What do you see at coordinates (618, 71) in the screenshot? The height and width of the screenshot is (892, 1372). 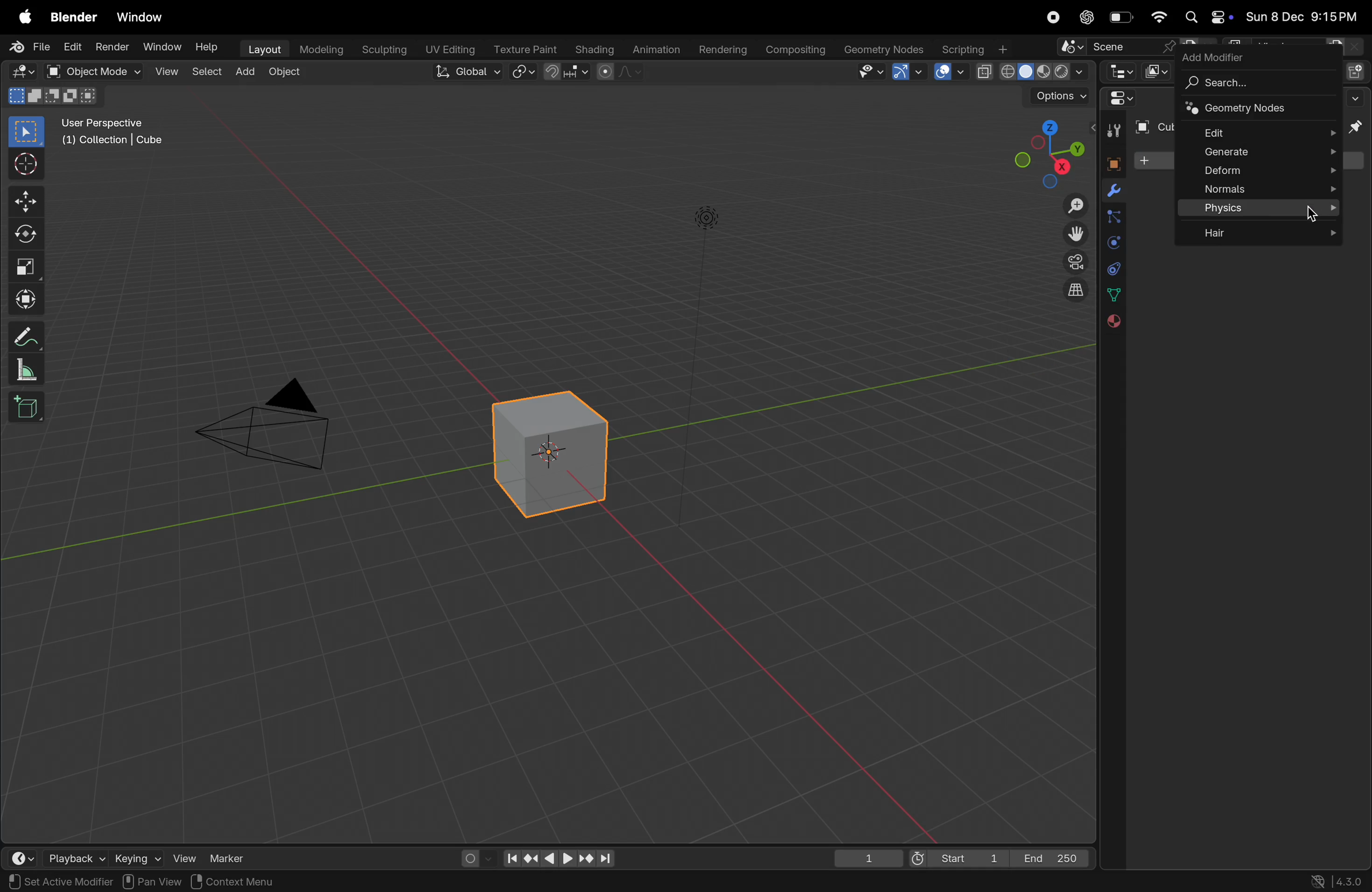 I see `proportional point` at bounding box center [618, 71].